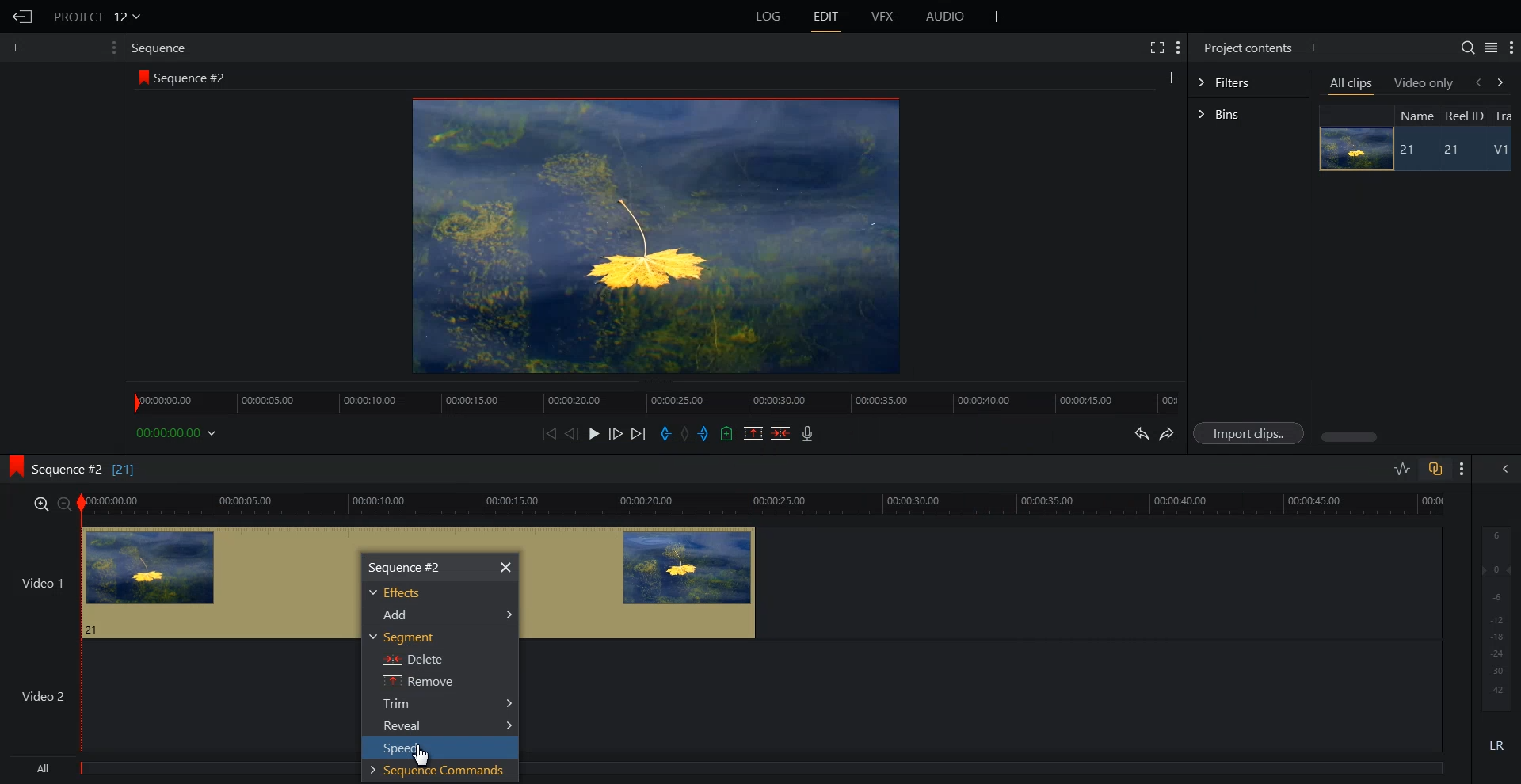 This screenshot has width=1521, height=784. What do you see at coordinates (1409, 150) in the screenshot?
I see `21` at bounding box center [1409, 150].